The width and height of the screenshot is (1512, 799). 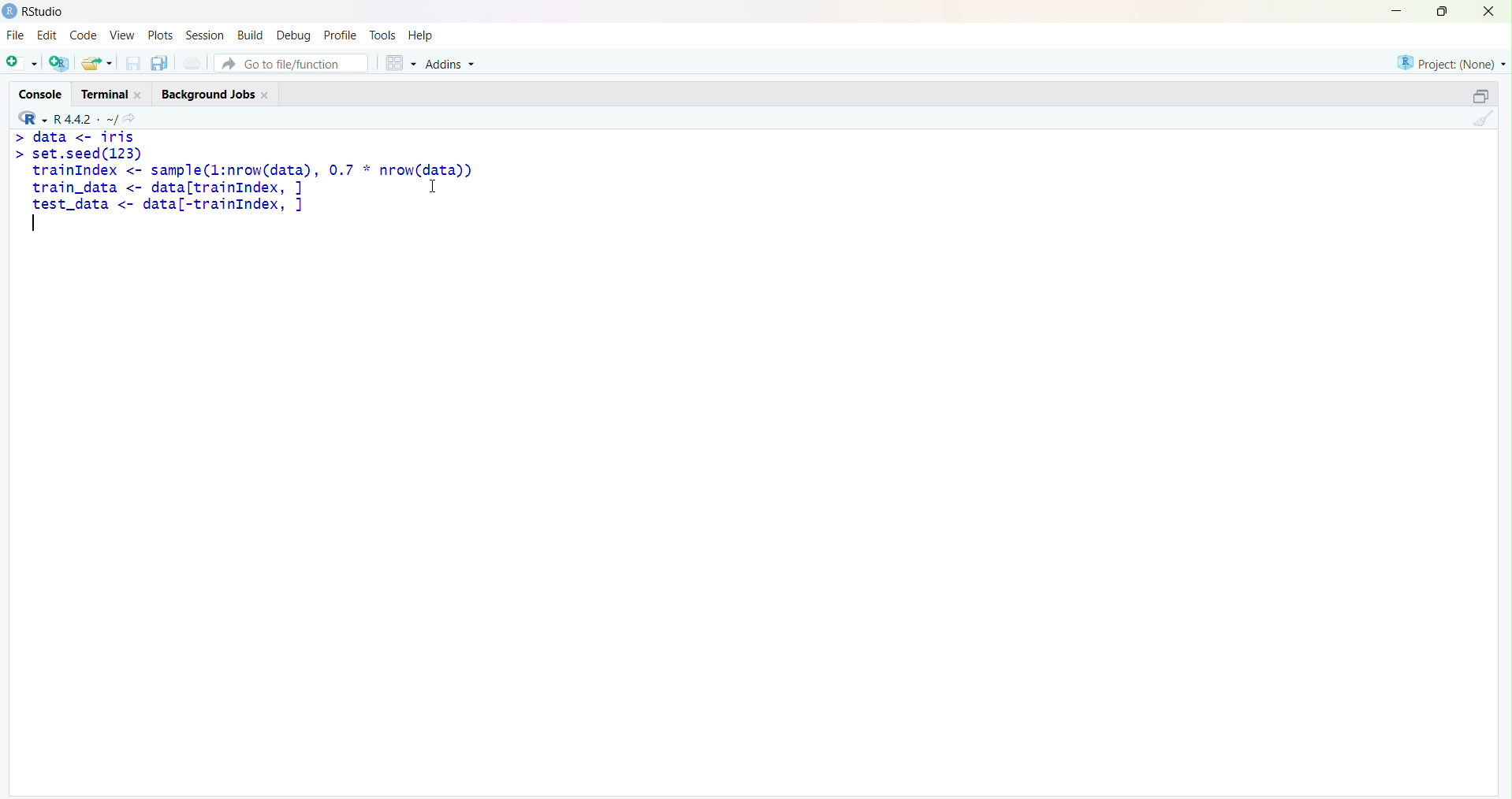 I want to click on Project (None), so click(x=1450, y=62).